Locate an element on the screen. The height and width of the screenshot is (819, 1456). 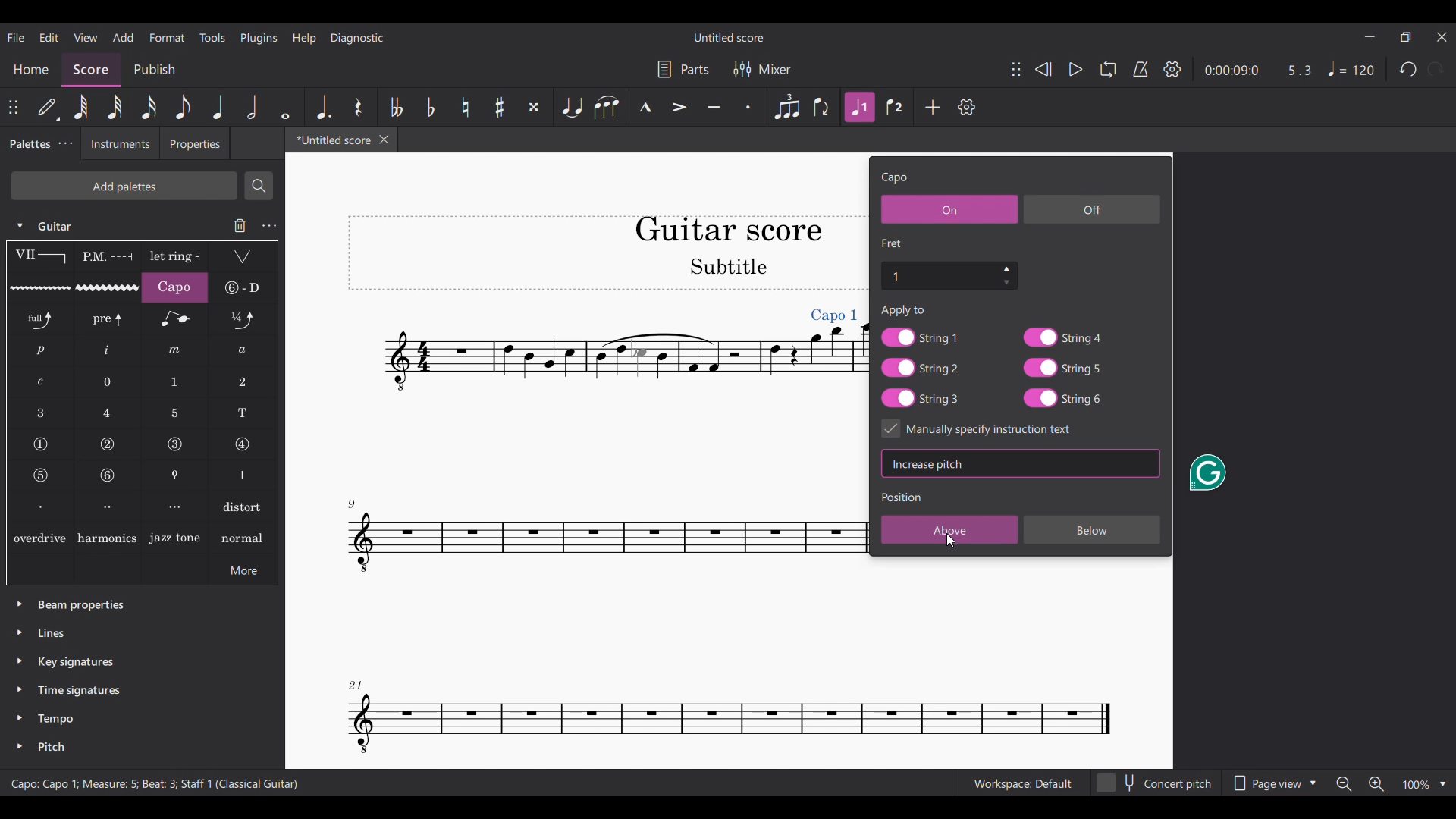
Palettes, current tab is located at coordinates (28, 144).